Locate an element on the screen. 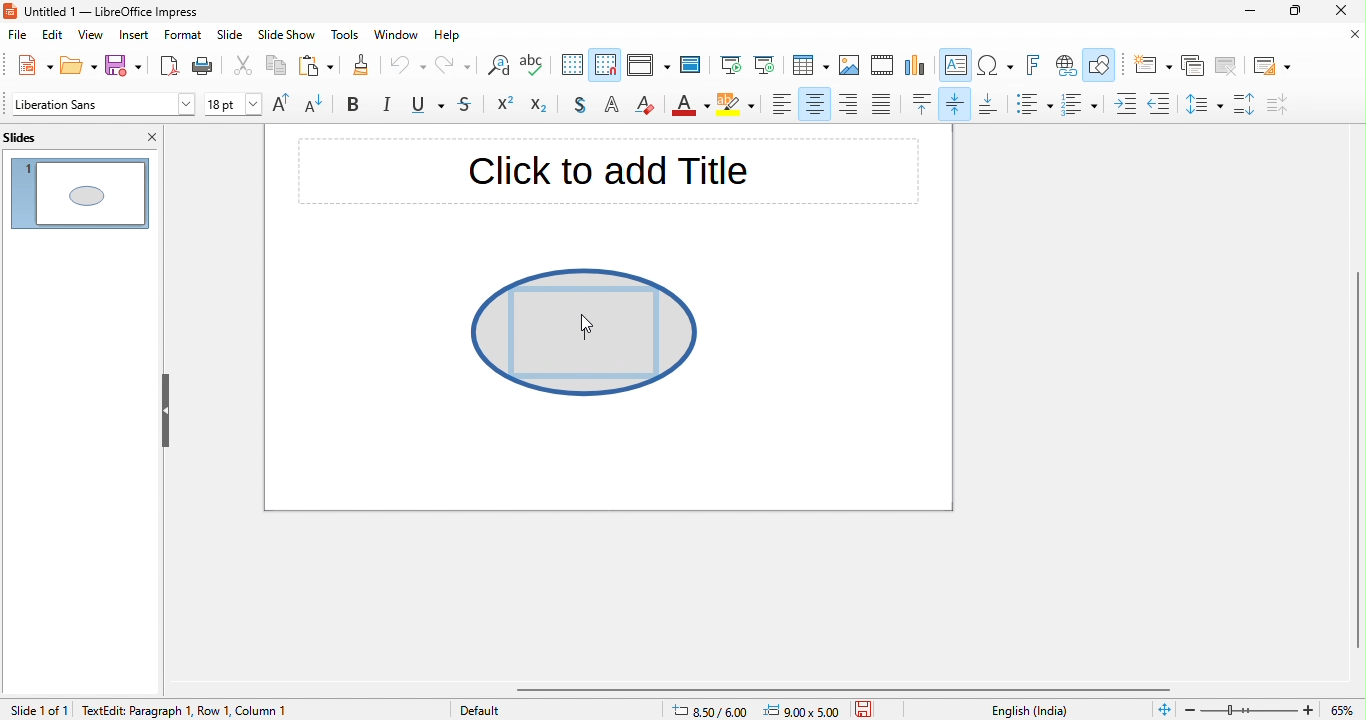  find and replace is located at coordinates (496, 68).